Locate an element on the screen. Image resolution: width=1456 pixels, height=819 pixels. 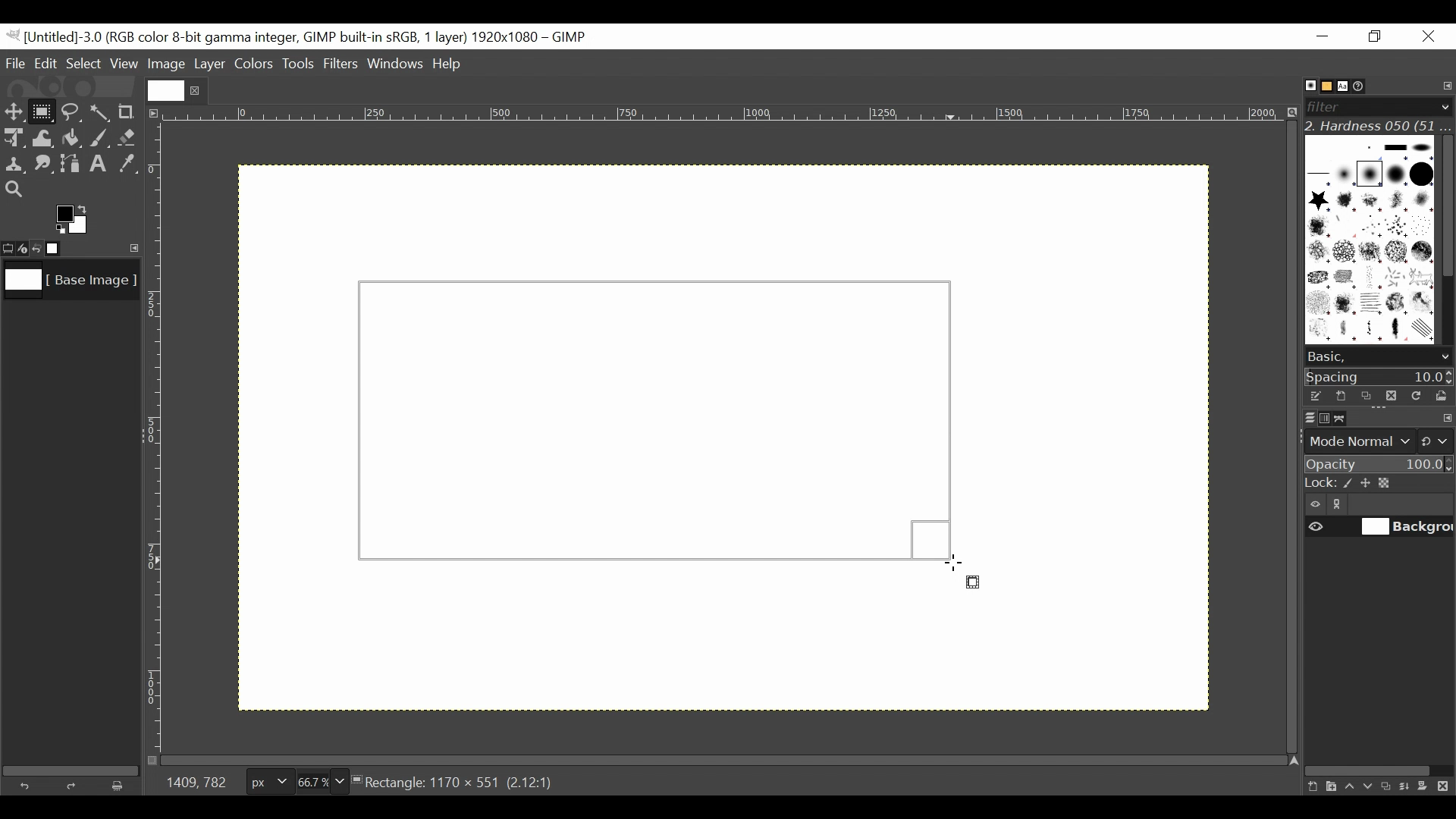
Rectangle Select Tool is located at coordinates (42, 111).